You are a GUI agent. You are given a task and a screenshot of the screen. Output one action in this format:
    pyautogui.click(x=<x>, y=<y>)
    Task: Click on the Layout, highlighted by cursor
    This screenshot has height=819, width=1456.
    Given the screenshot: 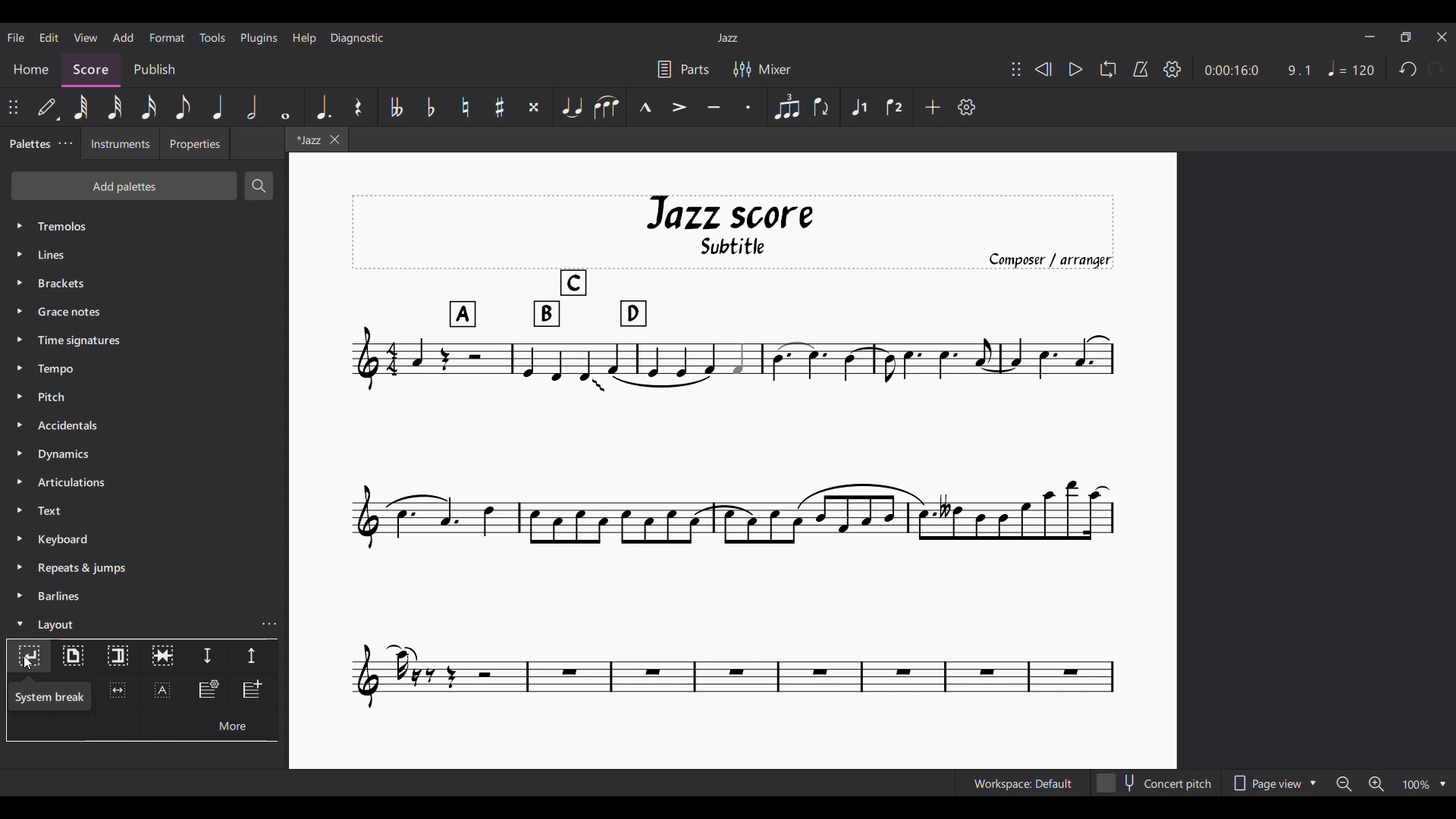 What is the action you would take?
    pyautogui.click(x=130, y=623)
    